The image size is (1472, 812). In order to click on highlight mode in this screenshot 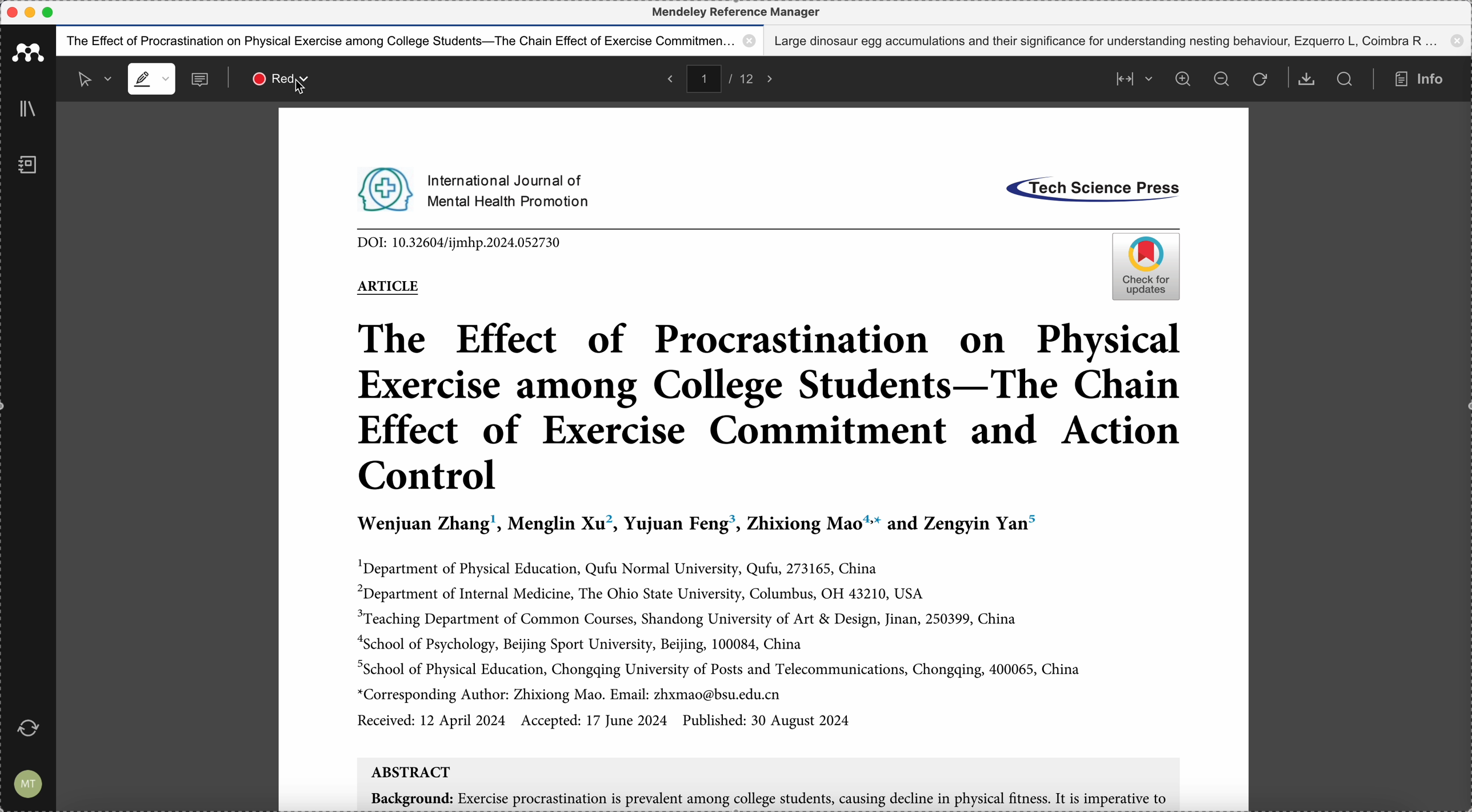, I will do `click(151, 79)`.